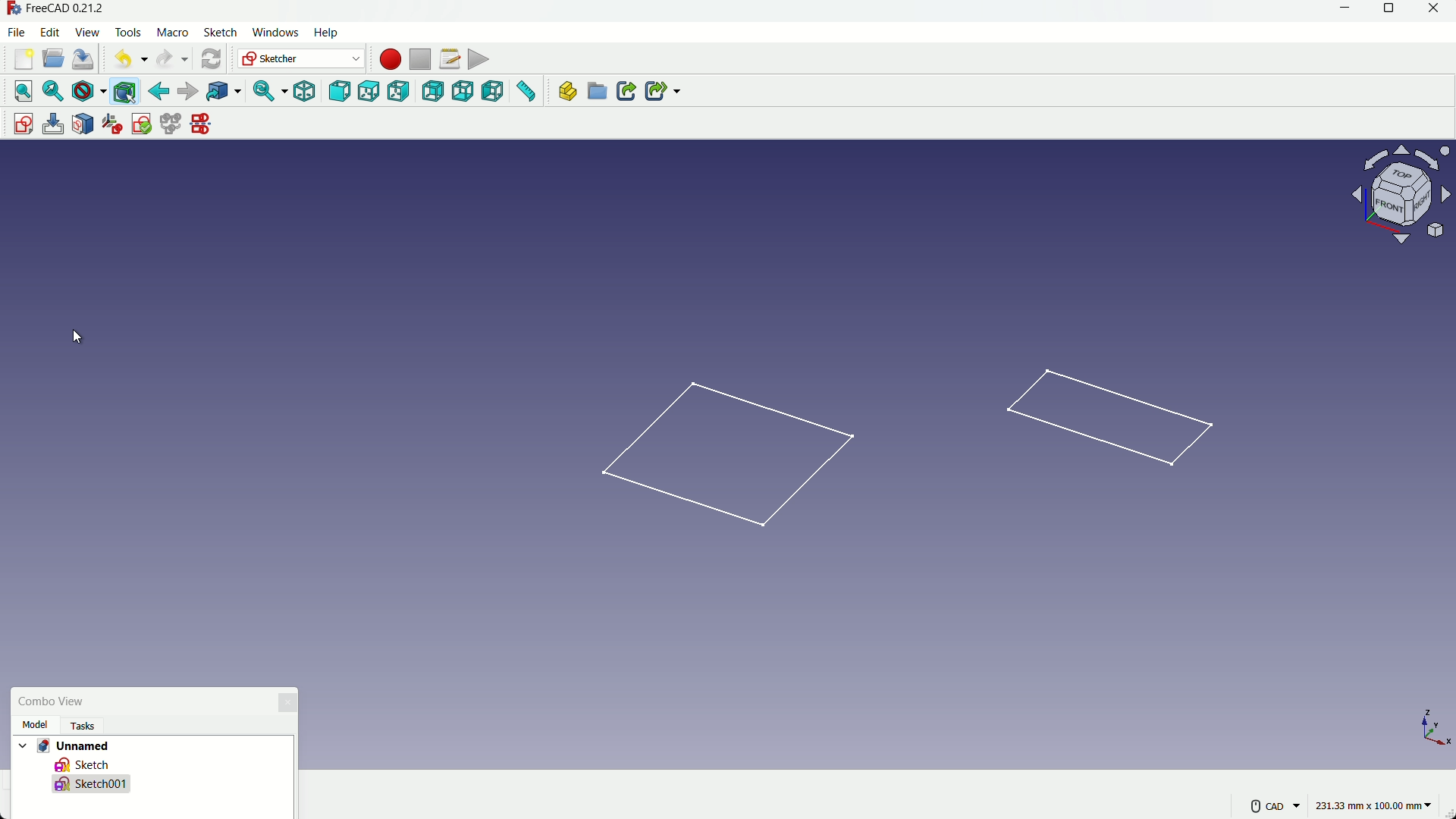 Image resolution: width=1456 pixels, height=819 pixels. Describe the element at coordinates (65, 745) in the screenshot. I see `project name - Unnamed` at that location.